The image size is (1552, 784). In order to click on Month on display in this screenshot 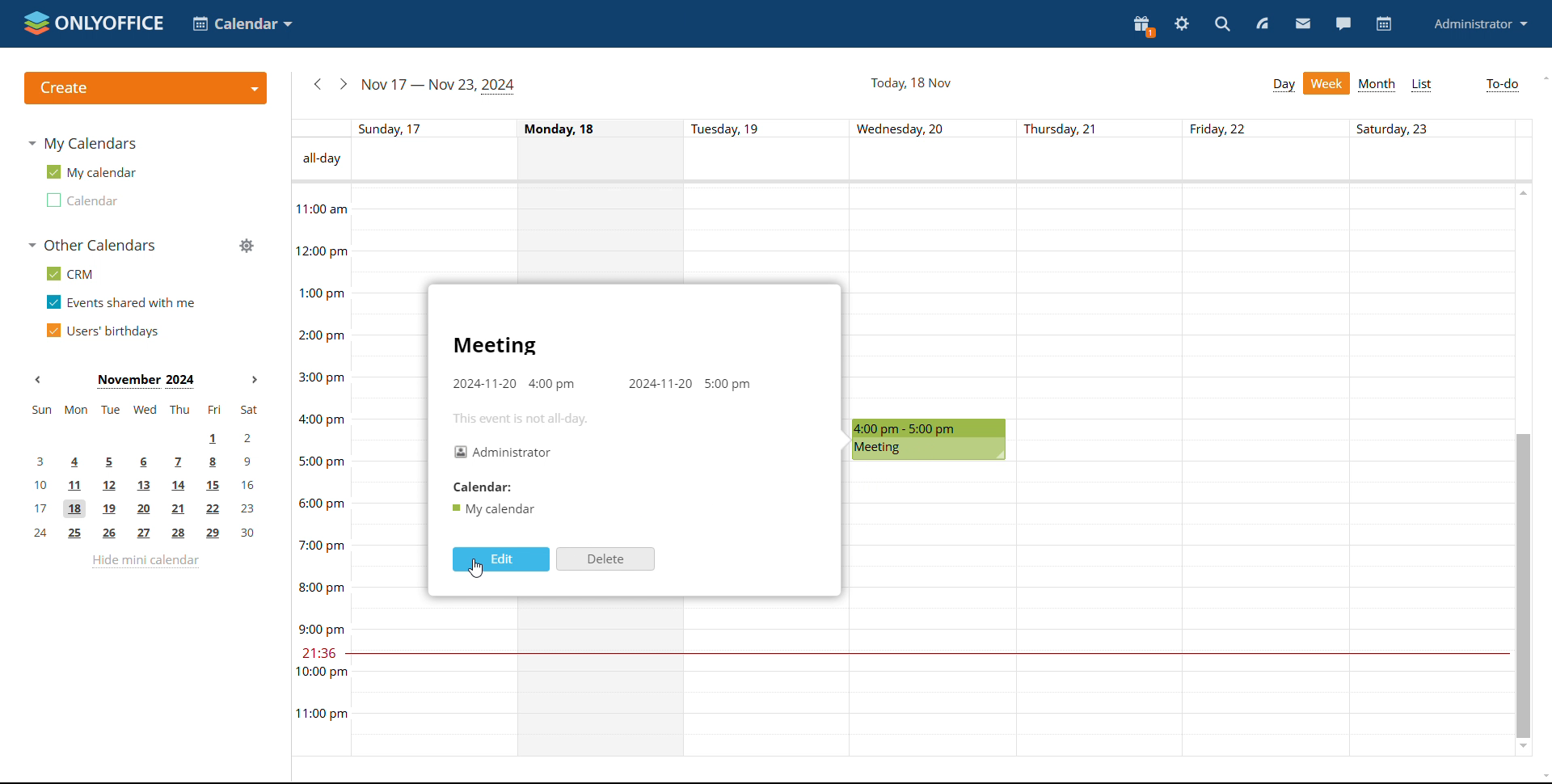, I will do `click(146, 381)`.